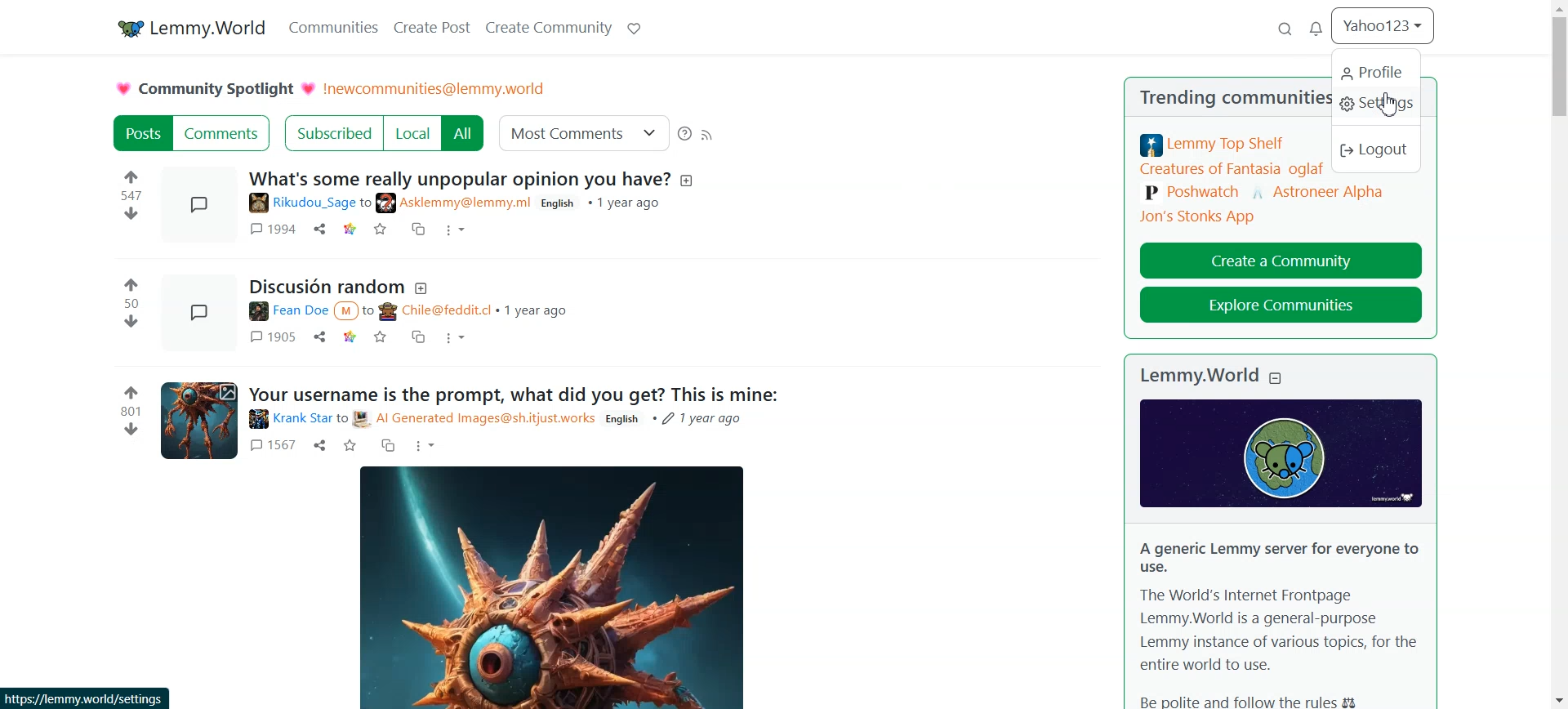 This screenshot has height=709, width=1568. Describe the element at coordinates (202, 207) in the screenshot. I see `thumbnail` at that location.